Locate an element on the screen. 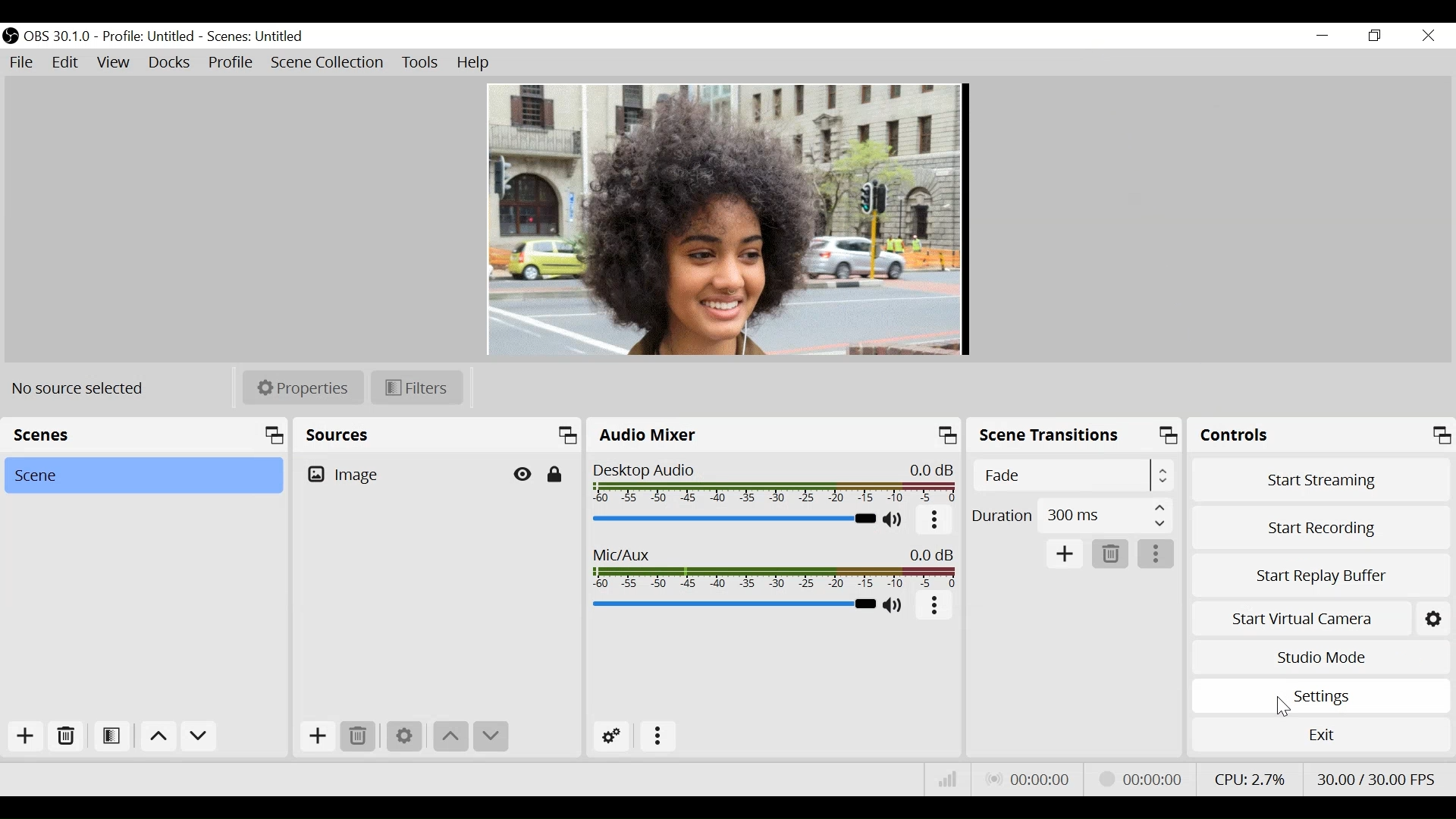  Tools is located at coordinates (420, 62).